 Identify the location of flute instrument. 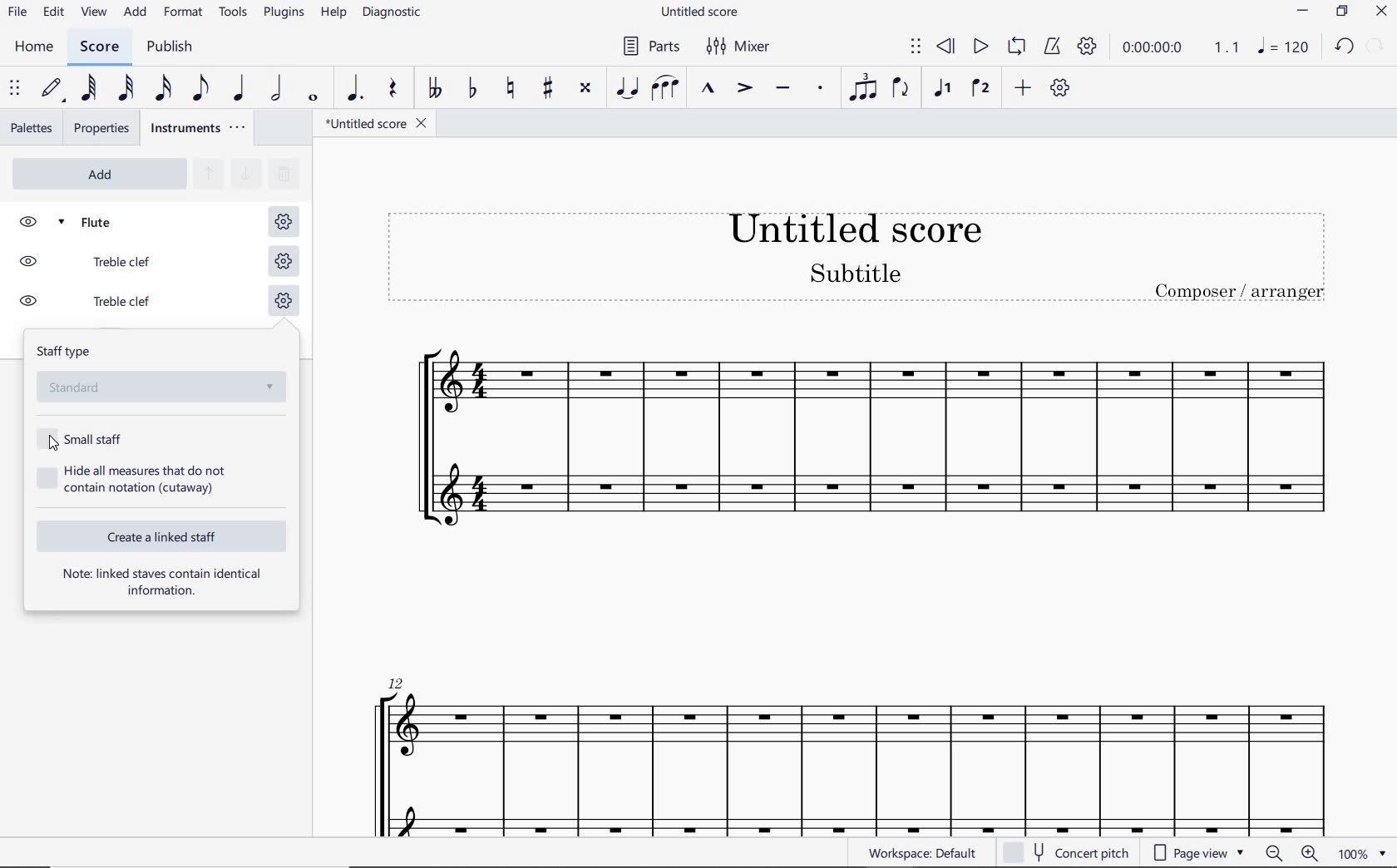
(846, 720).